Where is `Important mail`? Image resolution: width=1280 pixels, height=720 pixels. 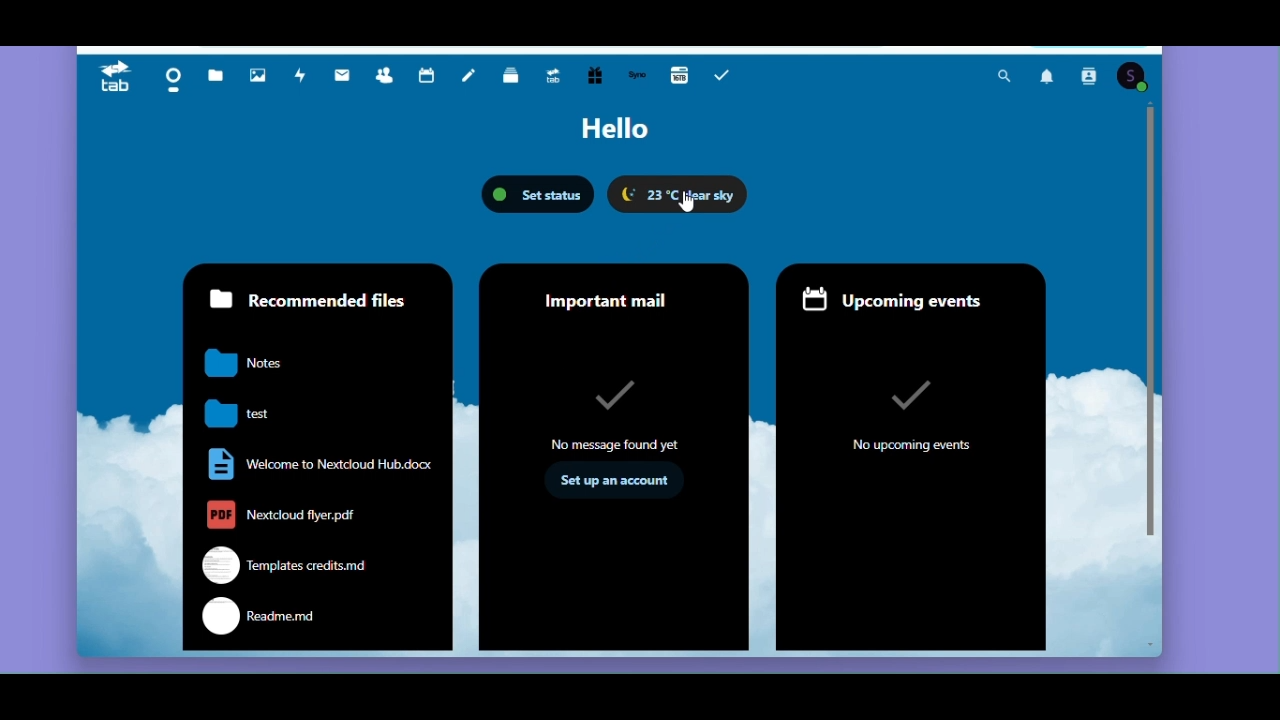
Important mail is located at coordinates (615, 293).